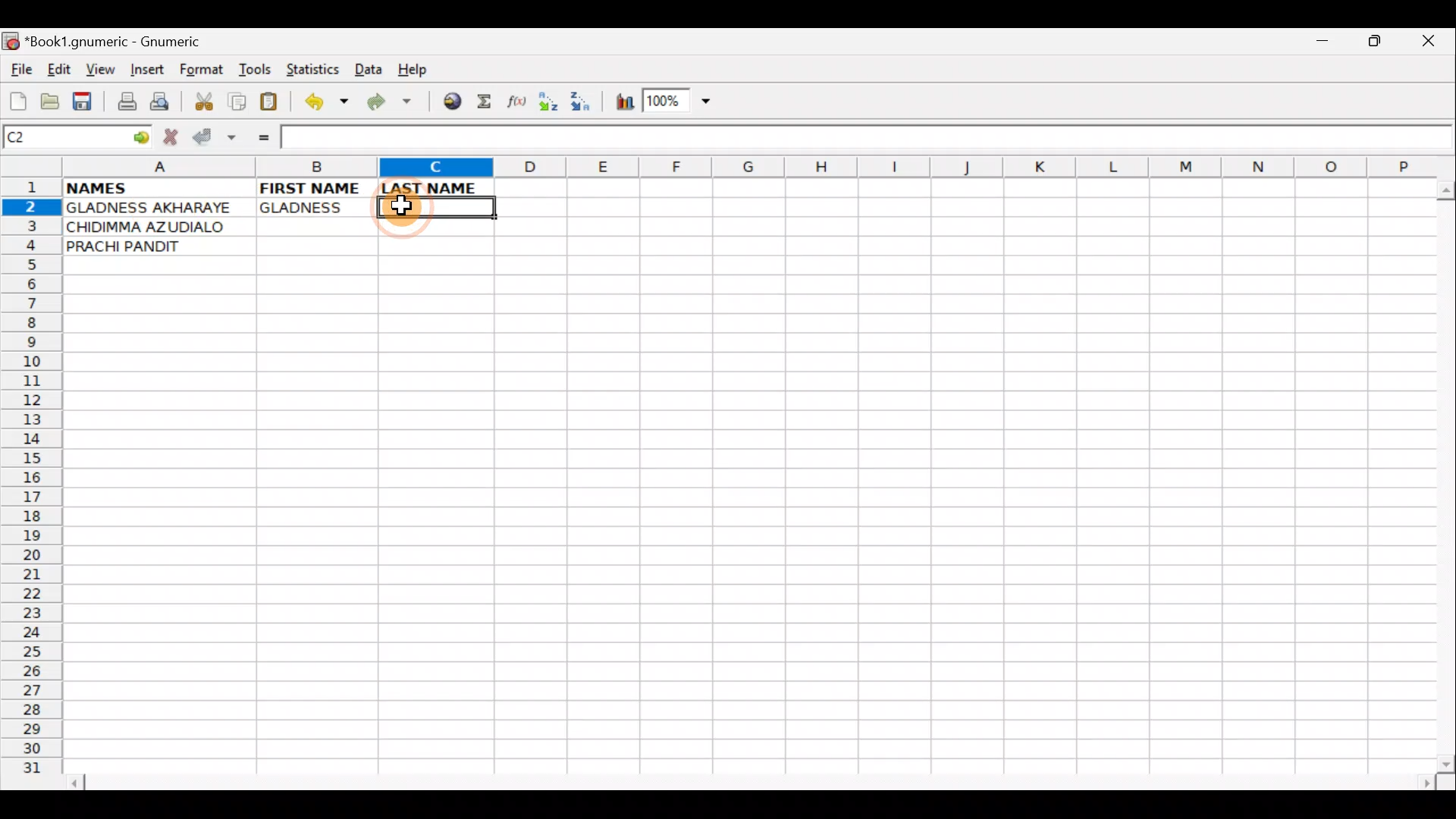  What do you see at coordinates (328, 104) in the screenshot?
I see `Undo last action` at bounding box center [328, 104].